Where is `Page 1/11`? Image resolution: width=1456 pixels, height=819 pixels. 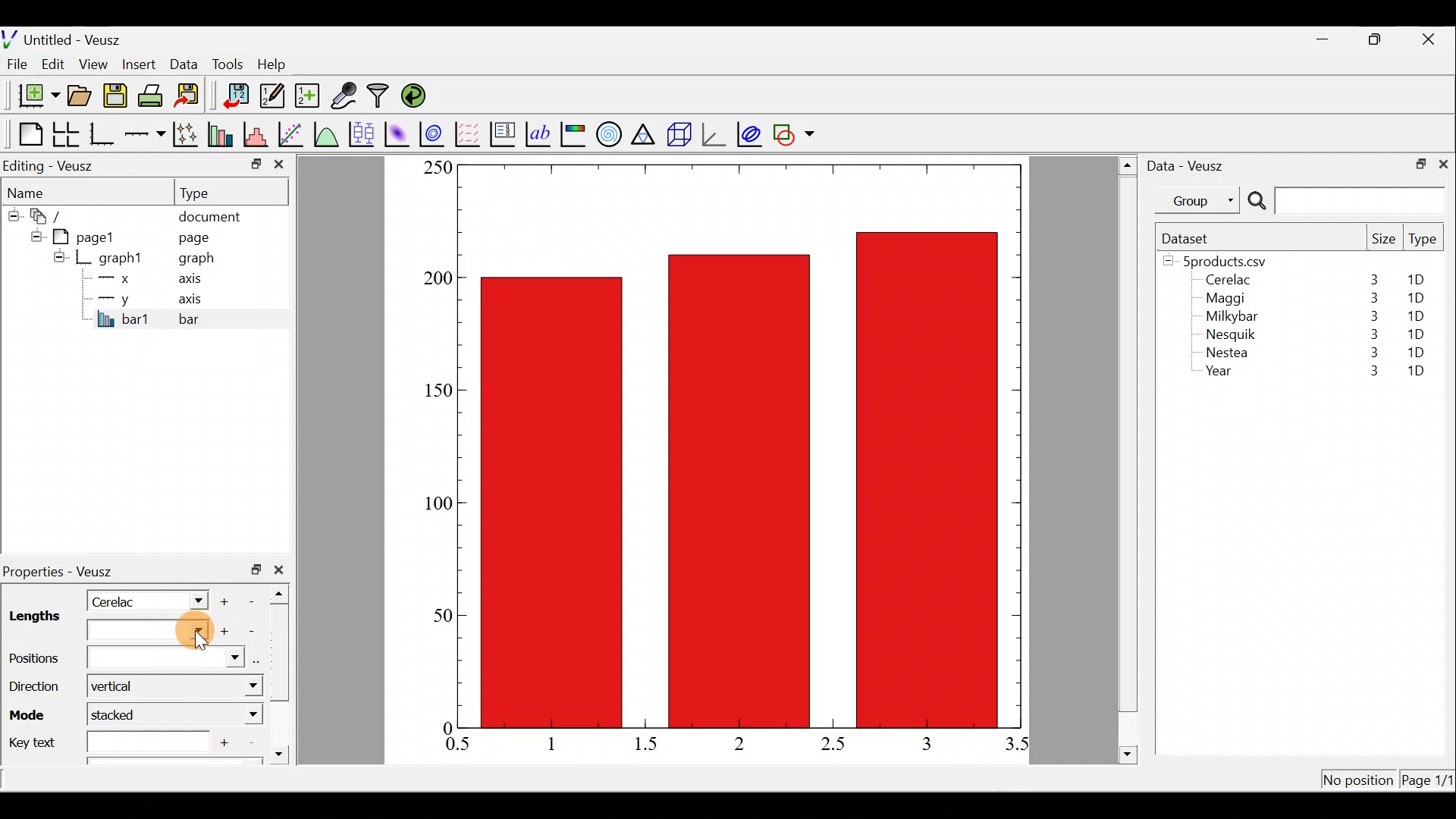 Page 1/11 is located at coordinates (1429, 783).